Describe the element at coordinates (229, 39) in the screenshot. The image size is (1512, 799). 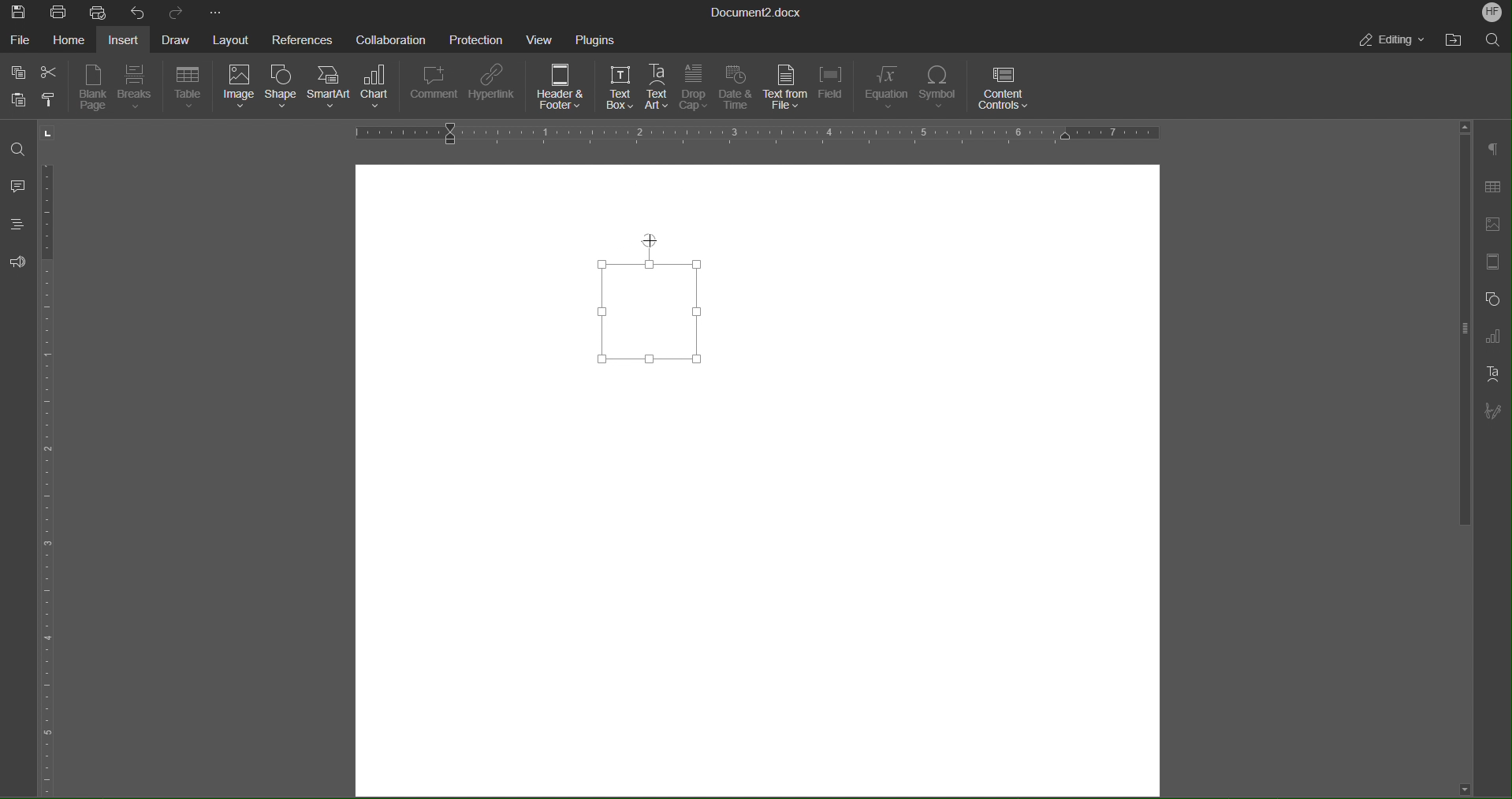
I see `Layout` at that location.